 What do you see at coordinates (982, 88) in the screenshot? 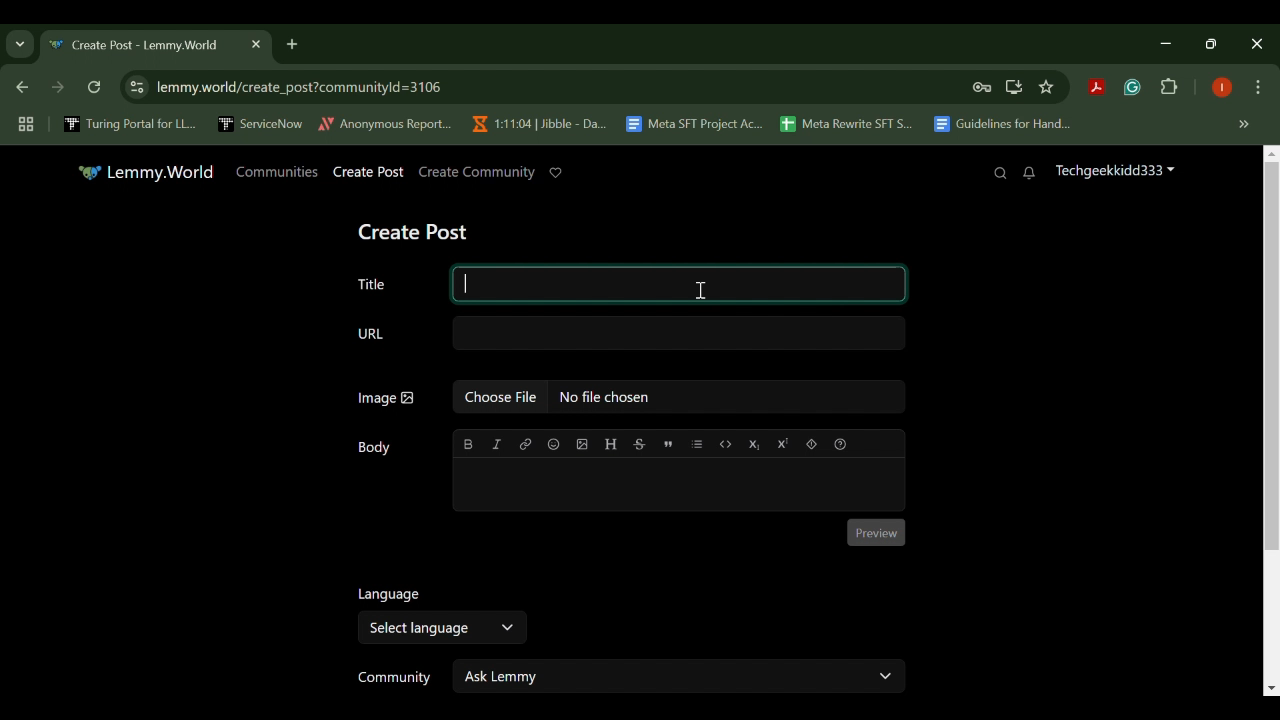
I see `Site Password Data Saved` at bounding box center [982, 88].